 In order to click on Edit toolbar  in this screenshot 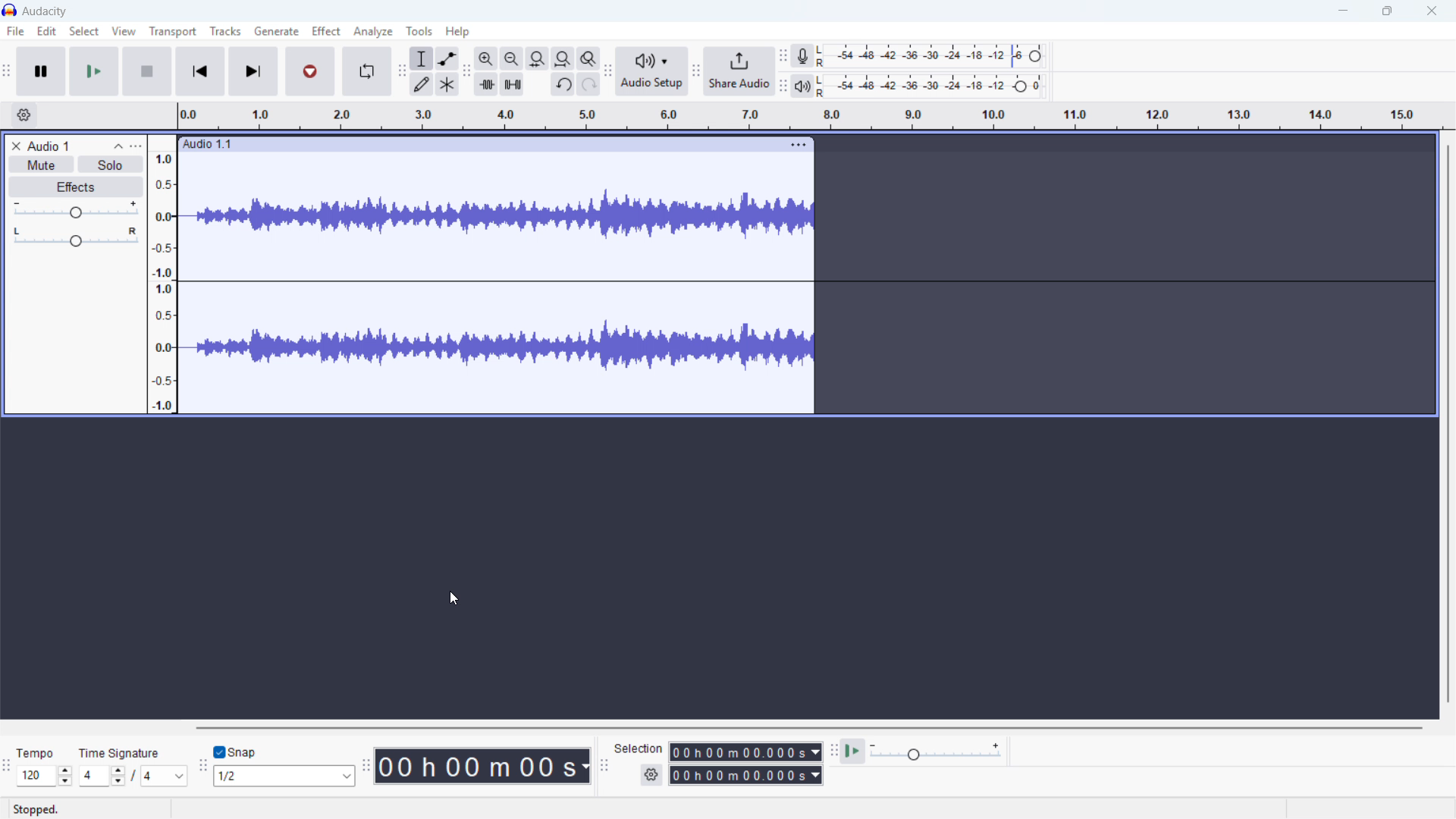, I will do `click(466, 72)`.